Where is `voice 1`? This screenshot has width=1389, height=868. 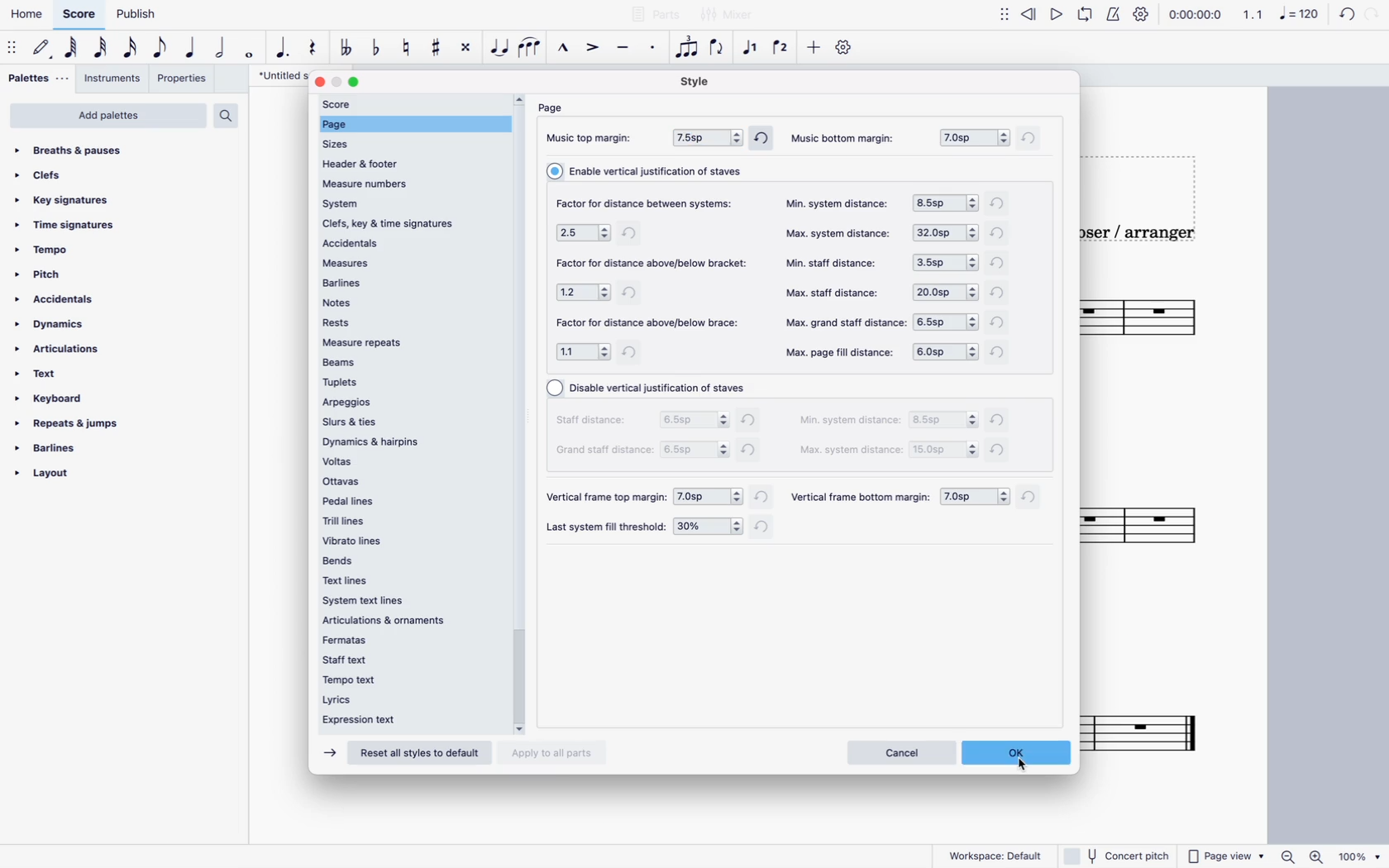 voice 1 is located at coordinates (752, 49).